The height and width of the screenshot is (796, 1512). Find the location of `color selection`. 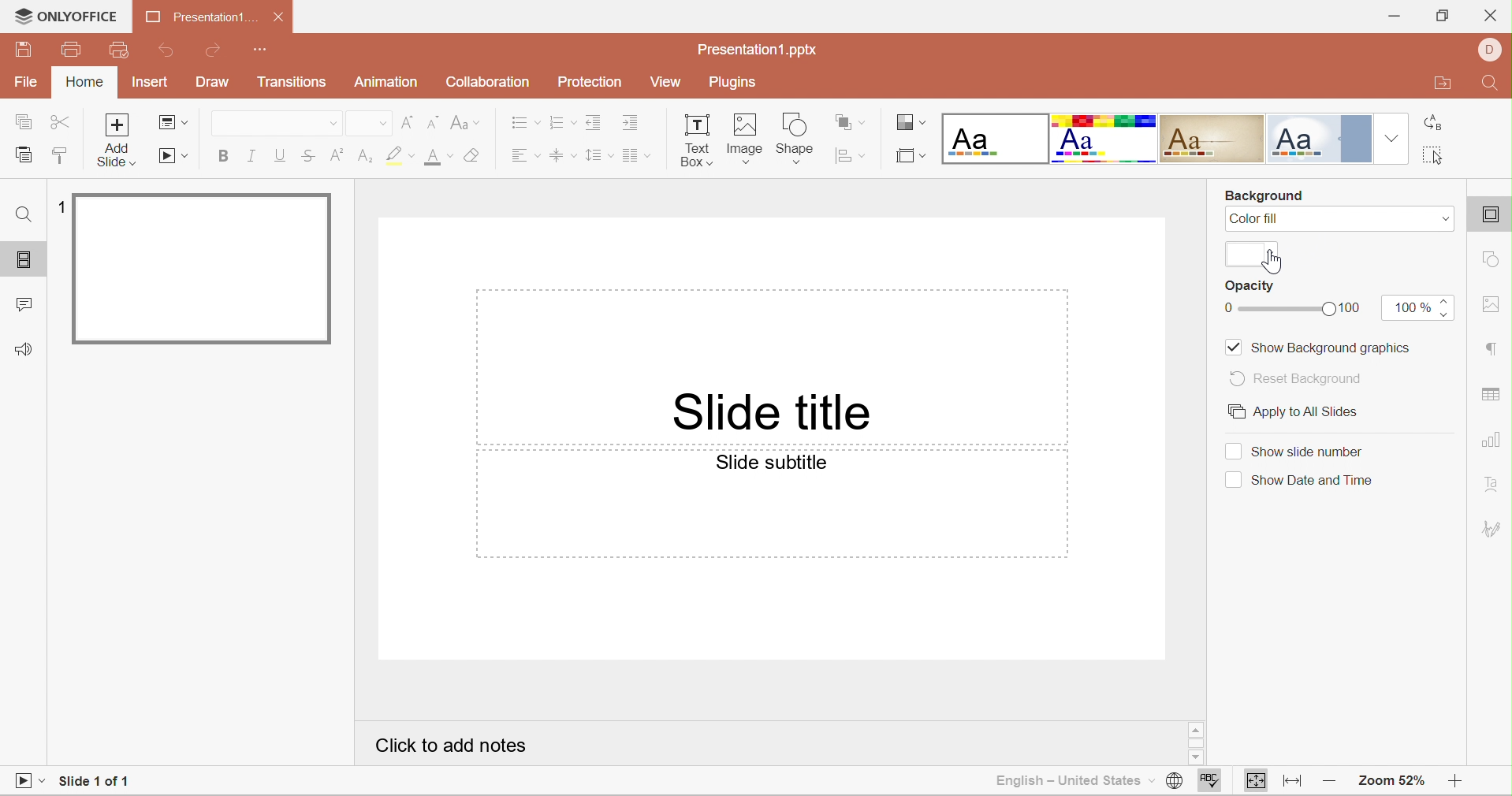

color selection is located at coordinates (1253, 255).